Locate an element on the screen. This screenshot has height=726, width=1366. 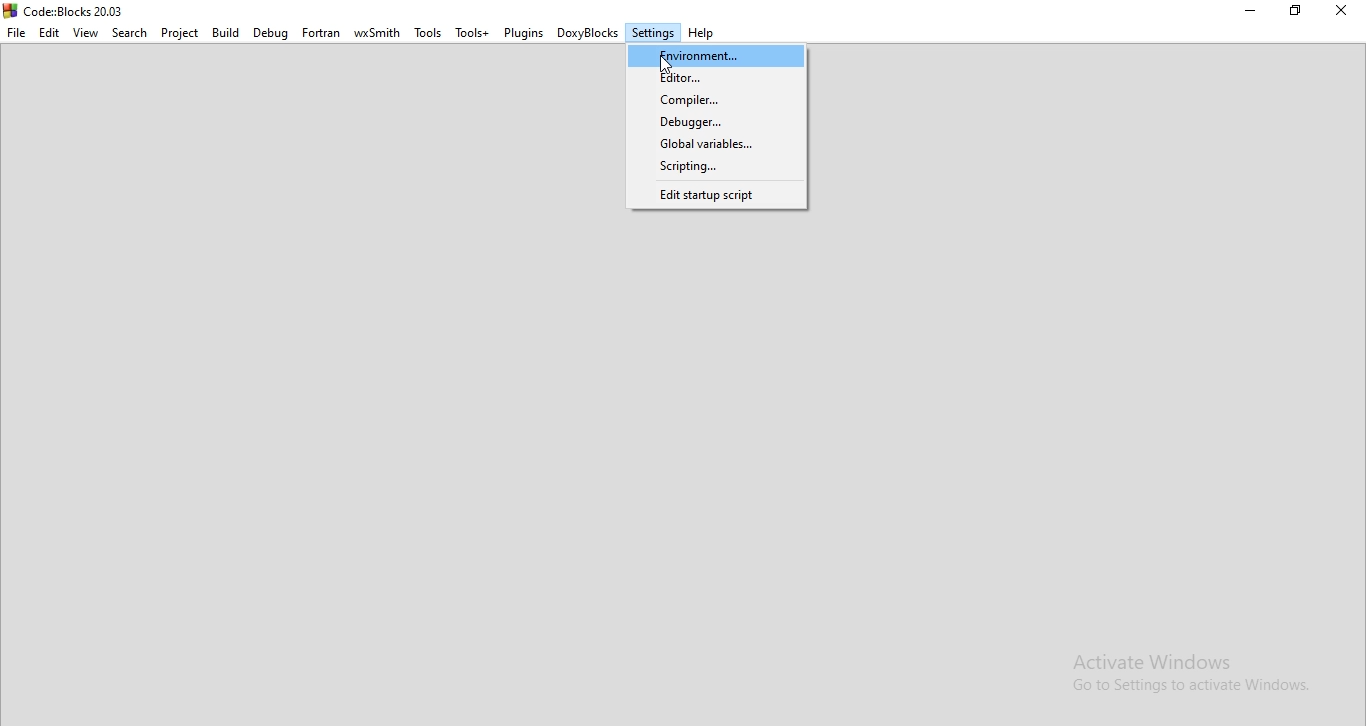
minimise is located at coordinates (1251, 12).